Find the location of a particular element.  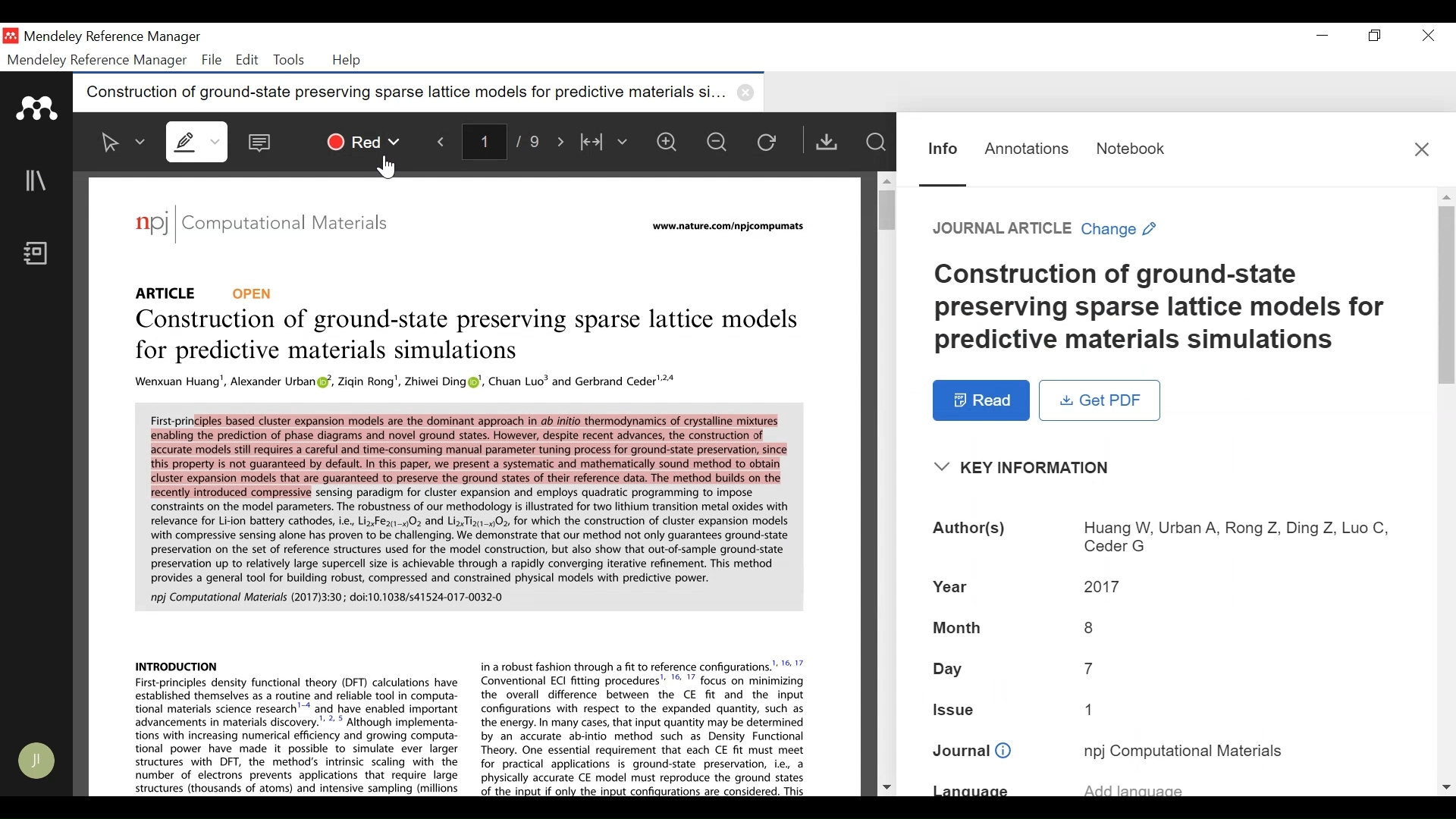

File is located at coordinates (212, 61).